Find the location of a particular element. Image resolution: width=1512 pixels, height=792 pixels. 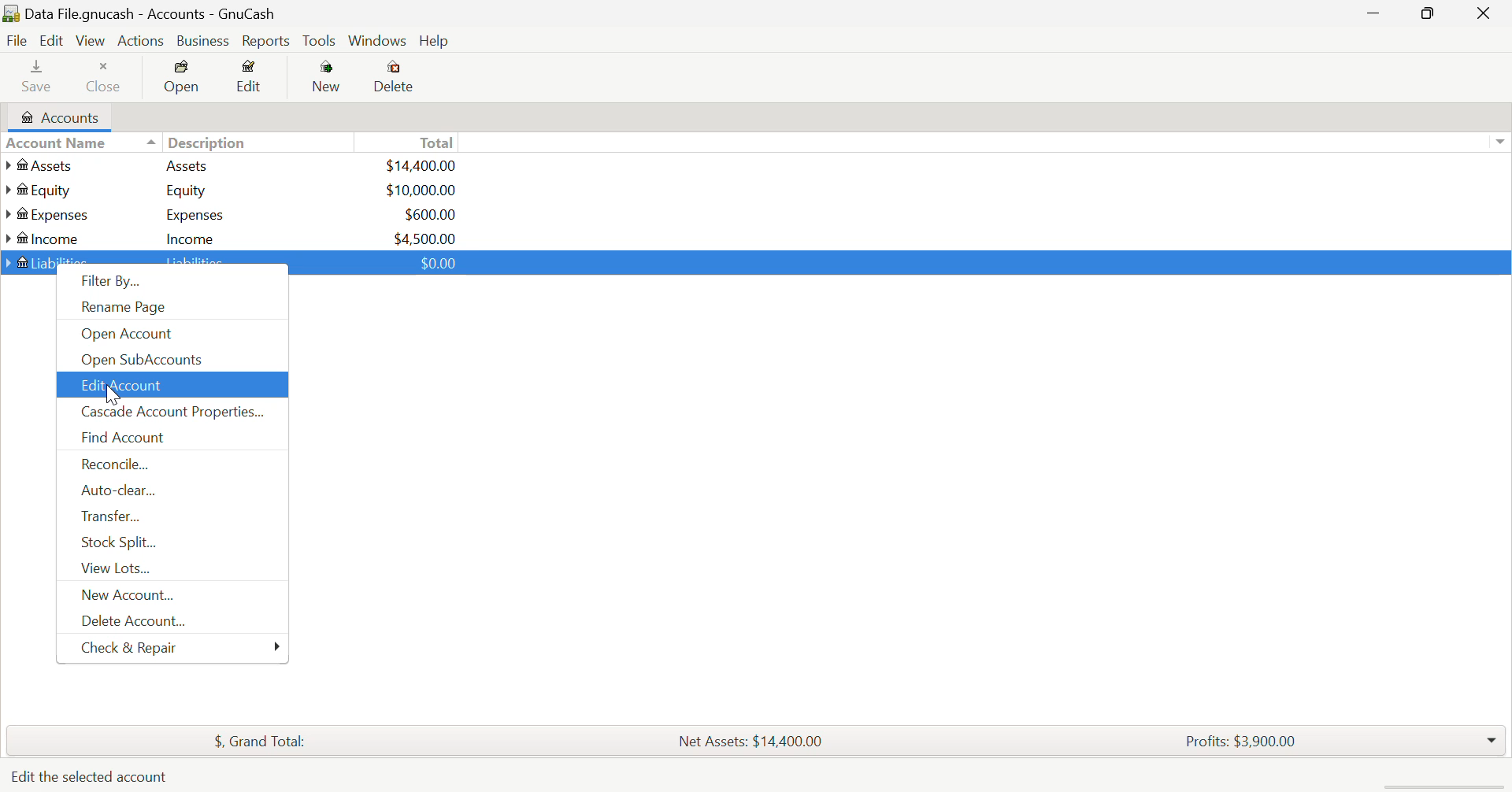

File is located at coordinates (15, 41).